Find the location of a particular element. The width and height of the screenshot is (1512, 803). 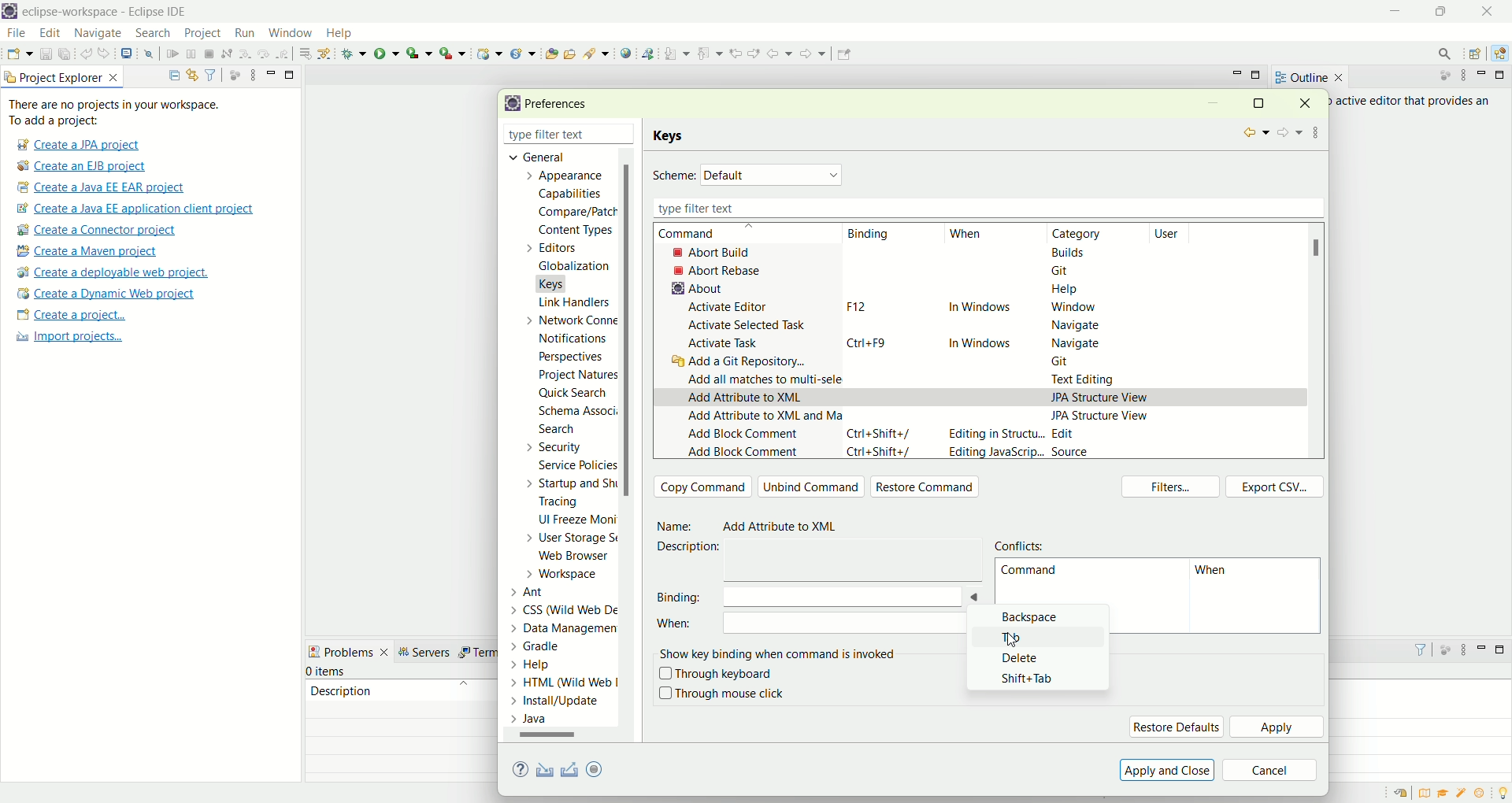

step return is located at coordinates (285, 52).